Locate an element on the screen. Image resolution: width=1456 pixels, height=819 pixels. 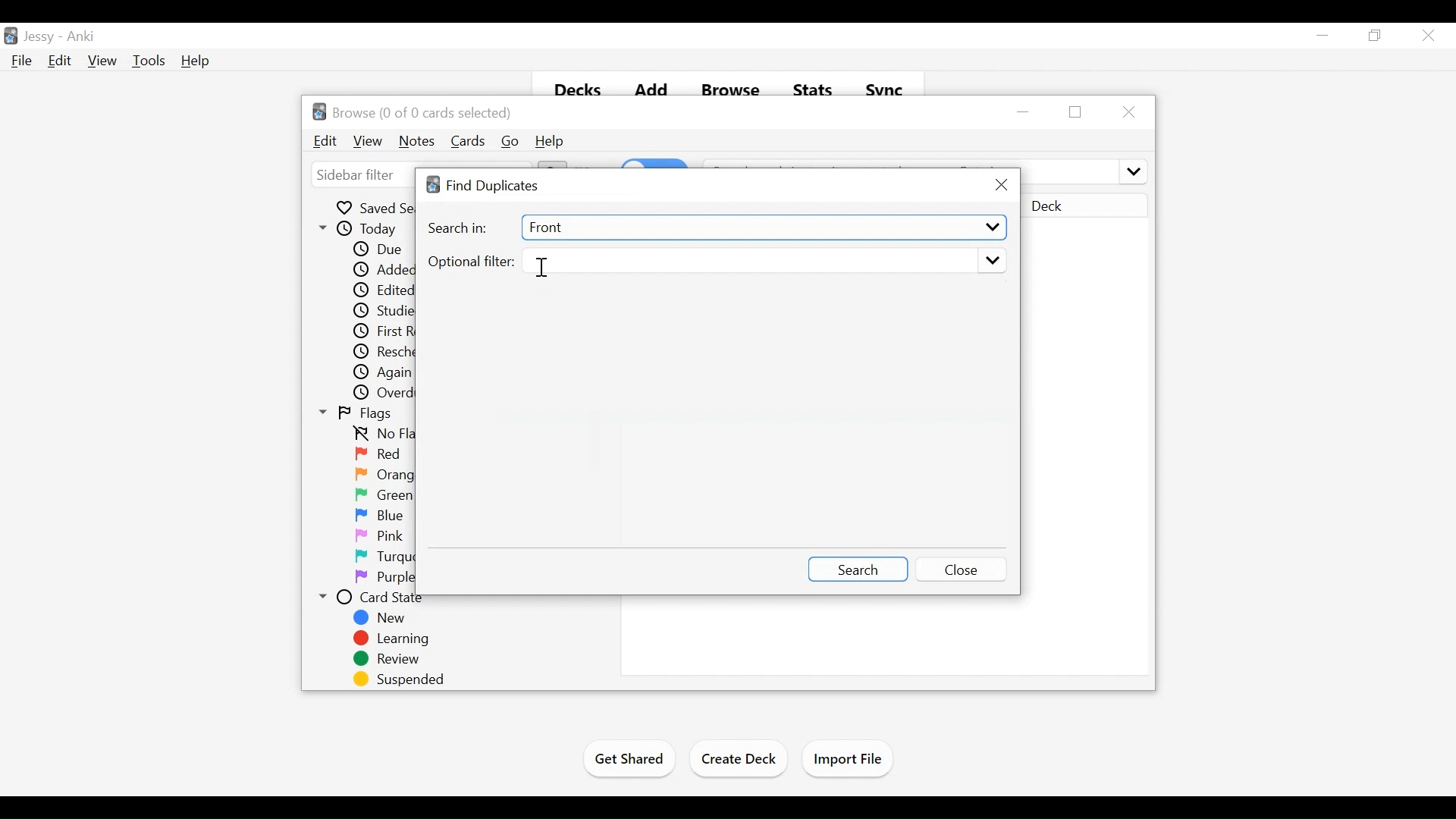
Saved Searches is located at coordinates (375, 207).